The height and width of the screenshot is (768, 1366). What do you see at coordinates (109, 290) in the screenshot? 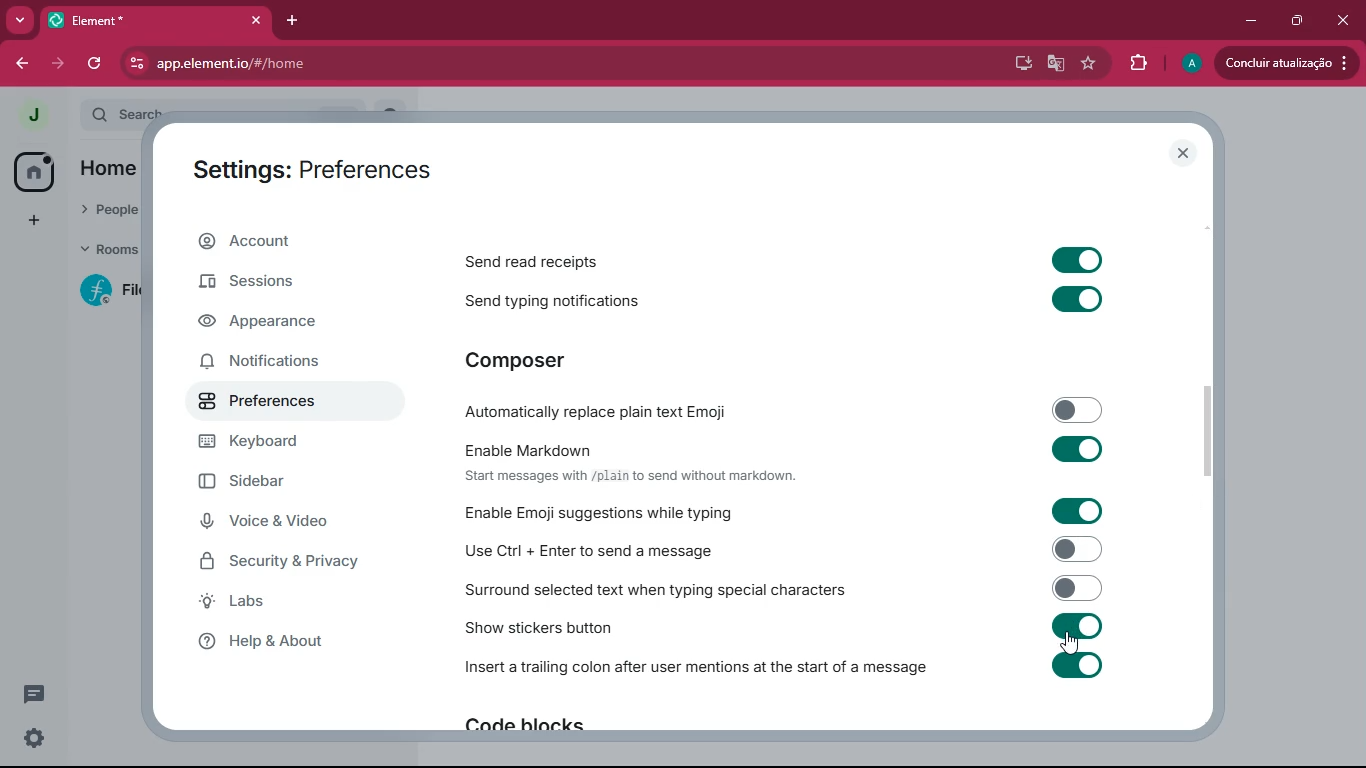
I see `filecoin lotus implementation` at bounding box center [109, 290].